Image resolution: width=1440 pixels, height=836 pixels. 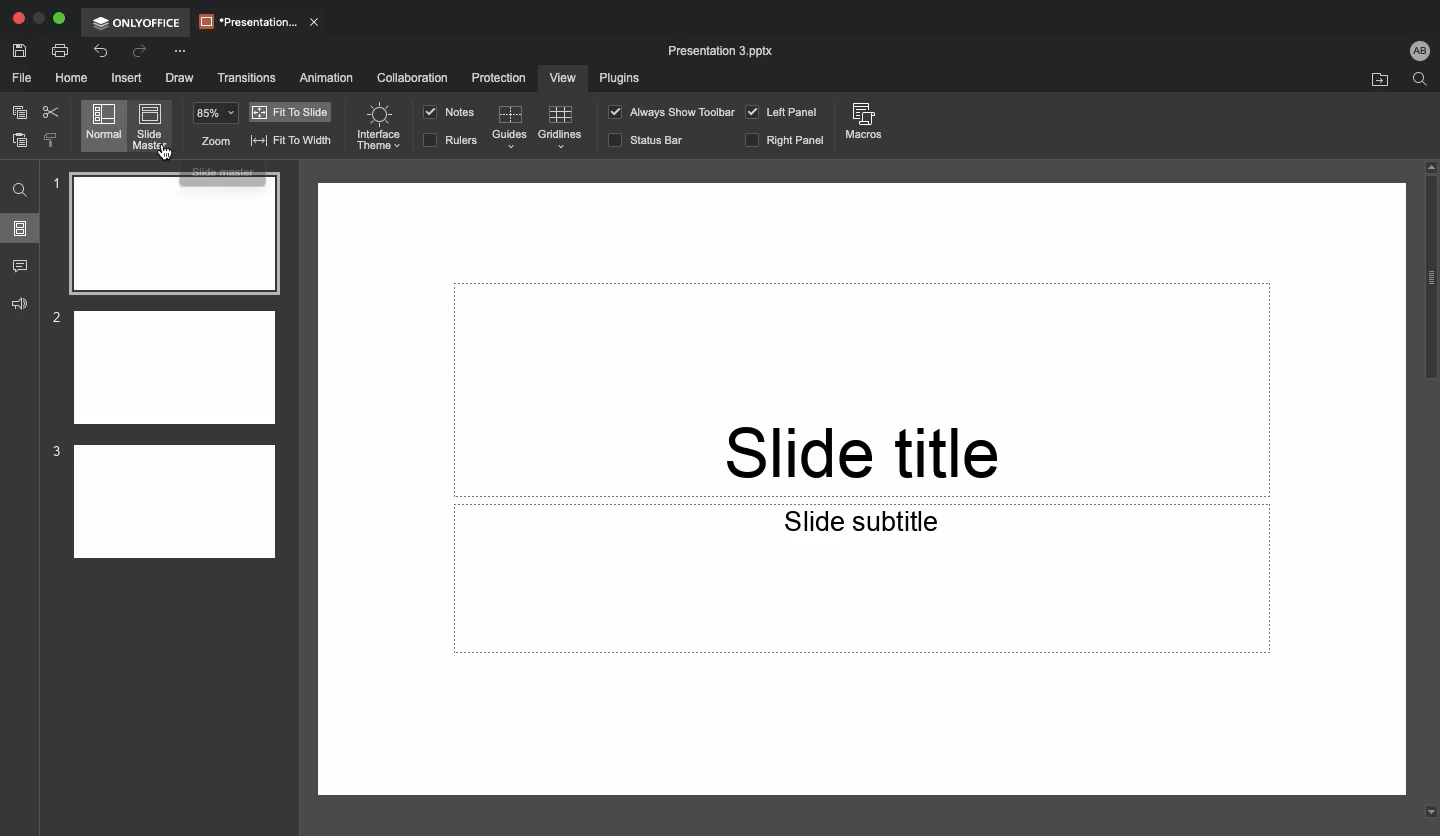 I want to click on Feedback & support, so click(x=22, y=302).